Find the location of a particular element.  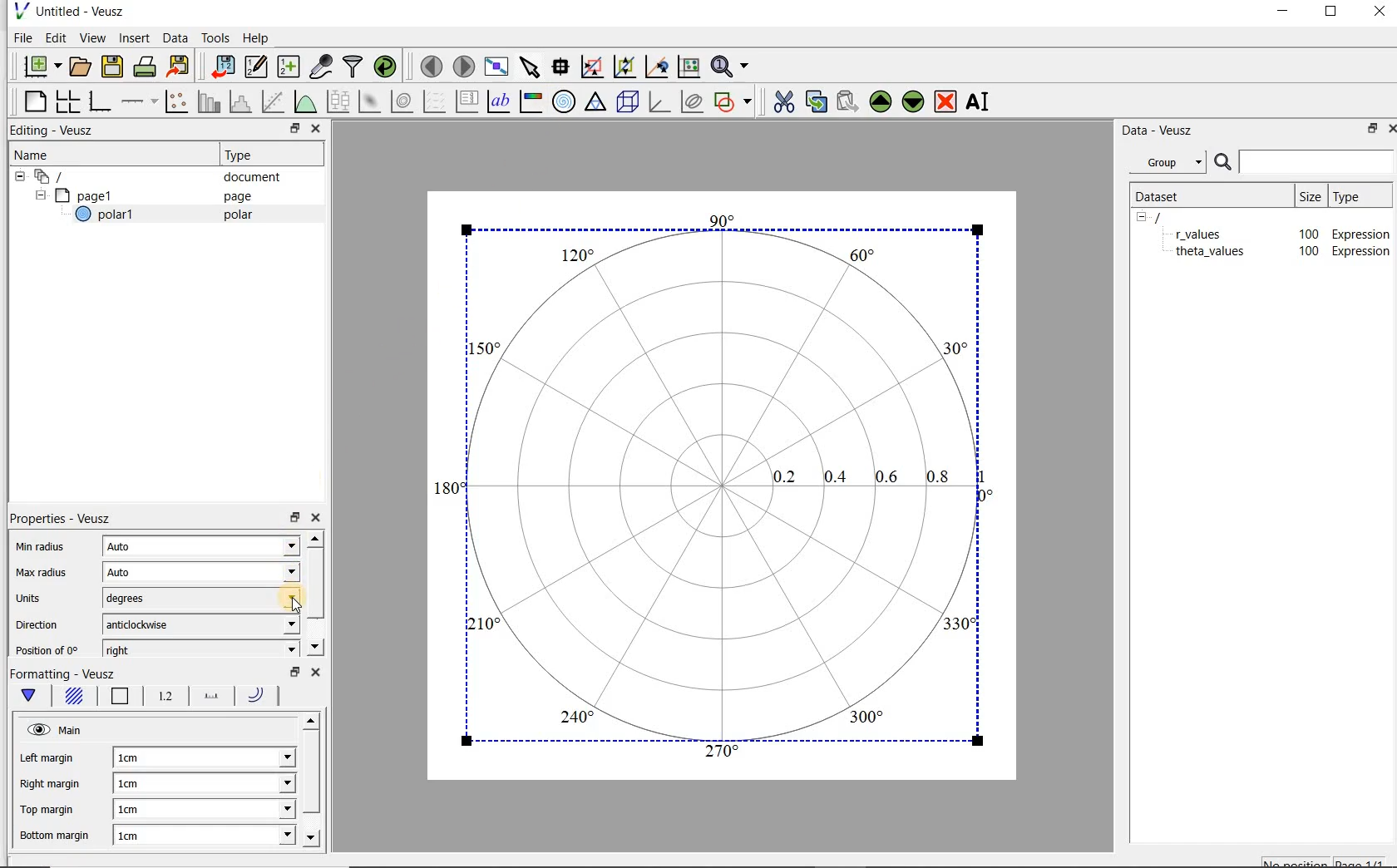

Edit is located at coordinates (55, 37).